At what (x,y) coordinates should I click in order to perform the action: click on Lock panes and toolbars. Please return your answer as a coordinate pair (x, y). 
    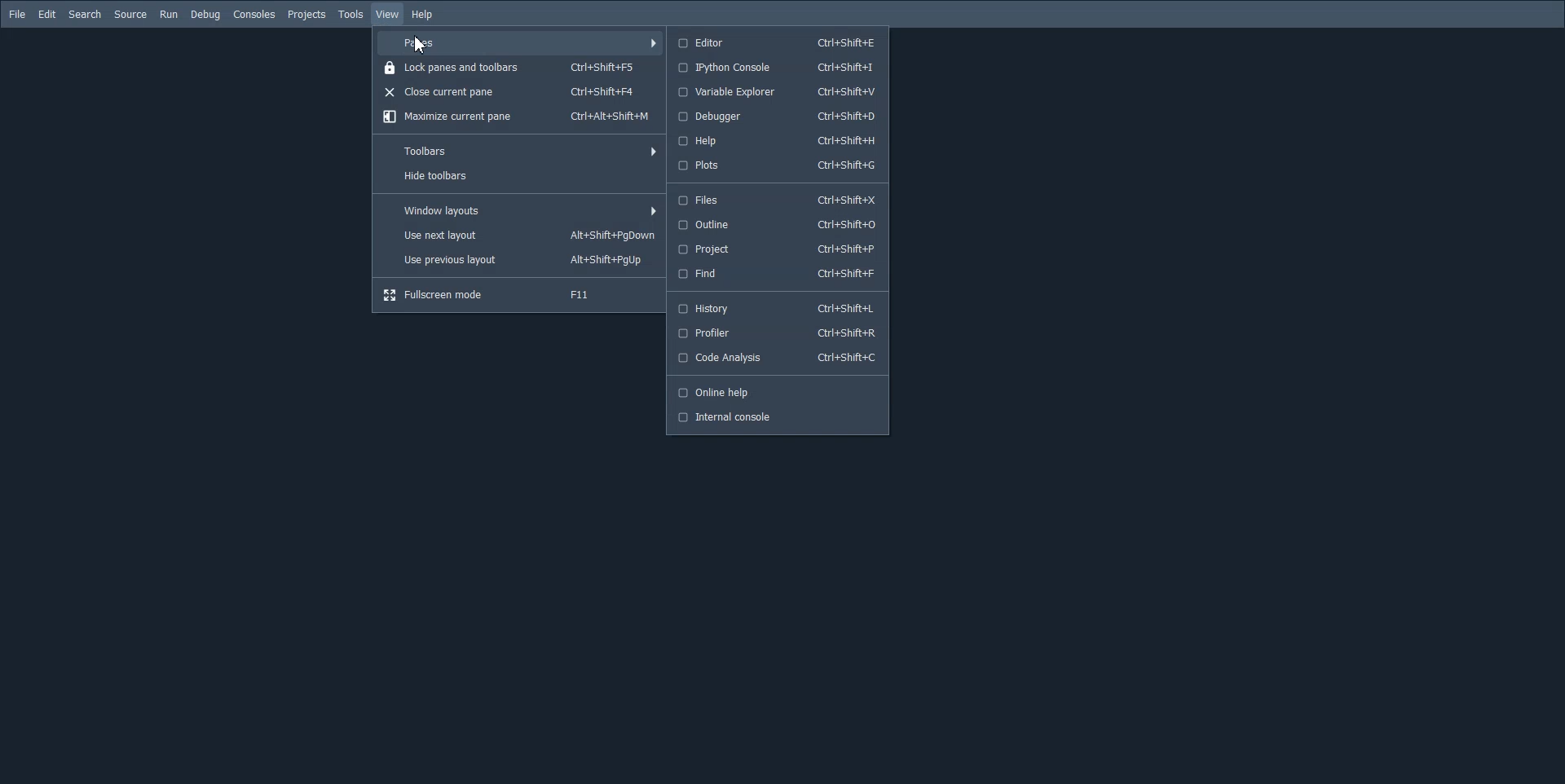
    Looking at the image, I should click on (519, 68).